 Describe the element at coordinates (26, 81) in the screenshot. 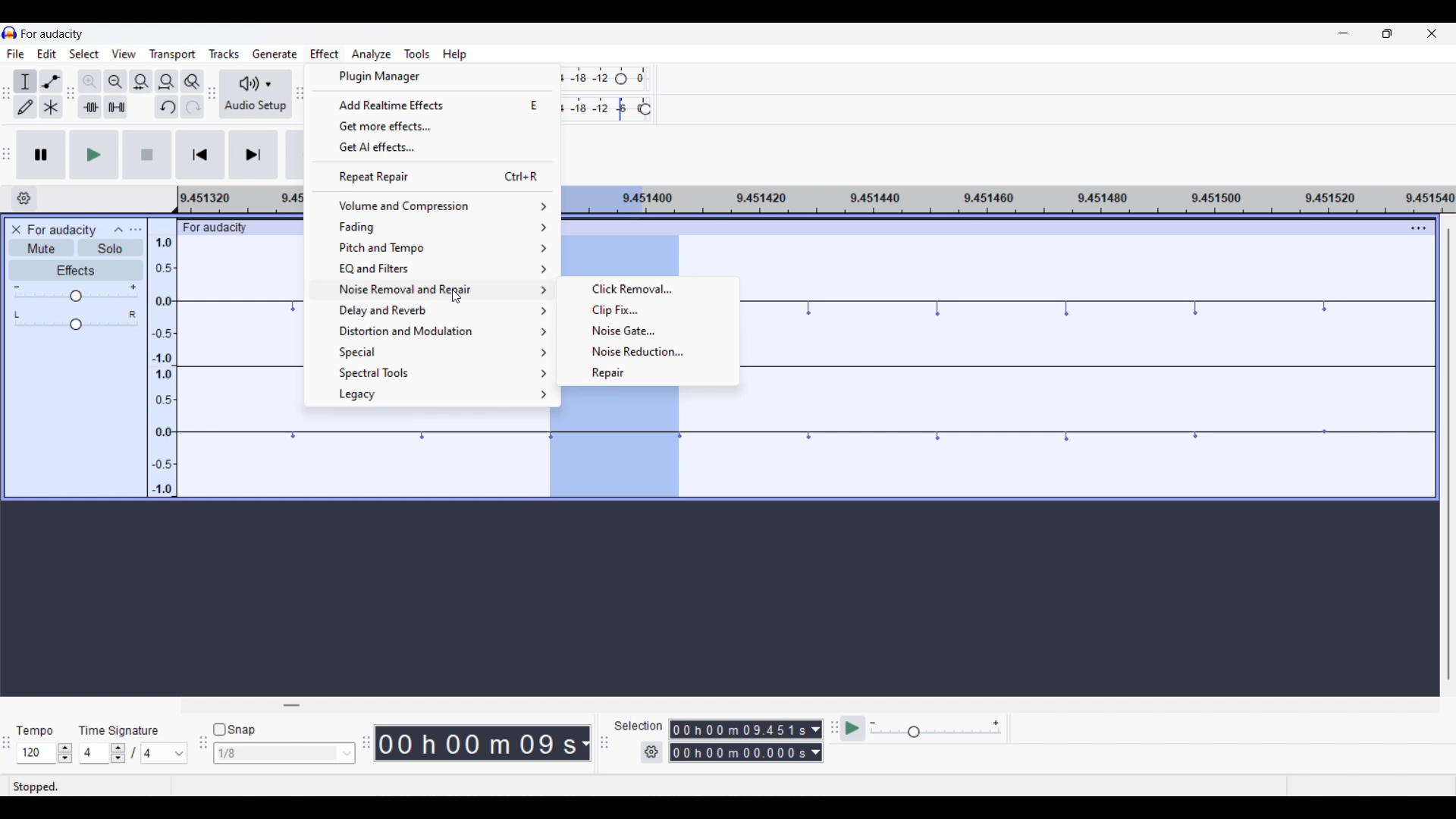

I see `Selection tool` at that location.